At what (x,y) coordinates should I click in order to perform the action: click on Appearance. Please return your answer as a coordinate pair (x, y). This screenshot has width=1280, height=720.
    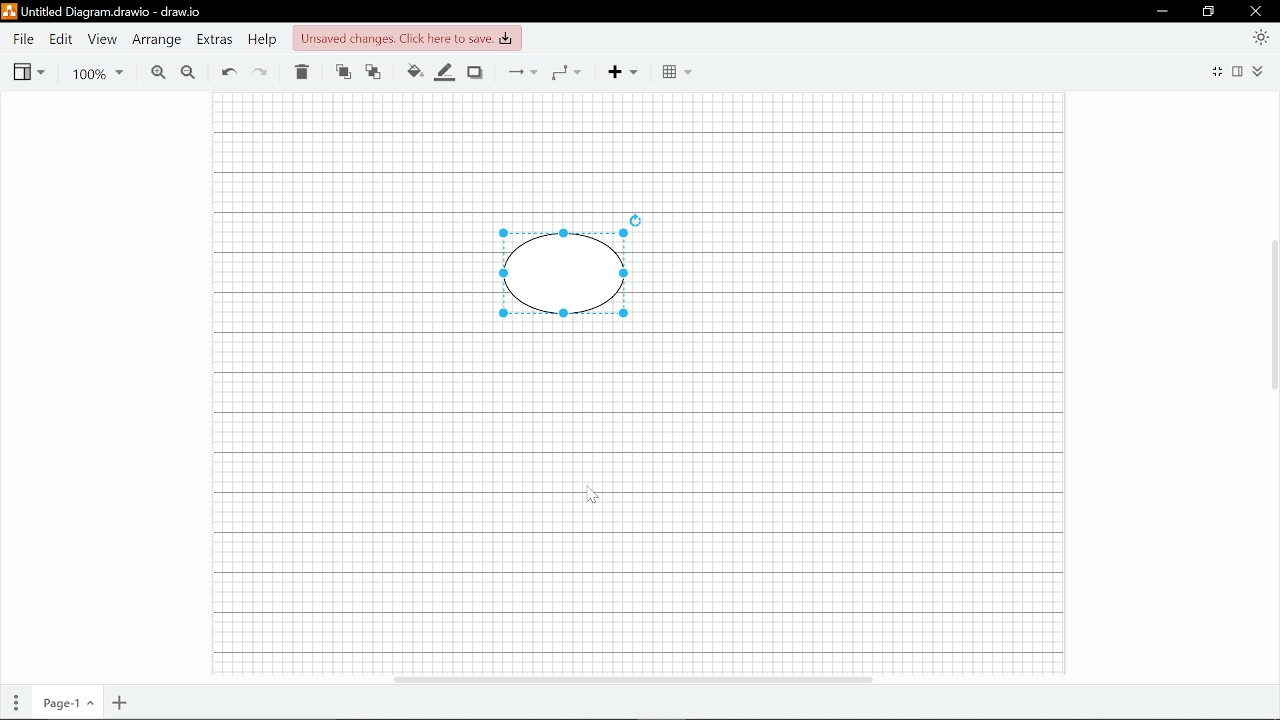
    Looking at the image, I should click on (1260, 36).